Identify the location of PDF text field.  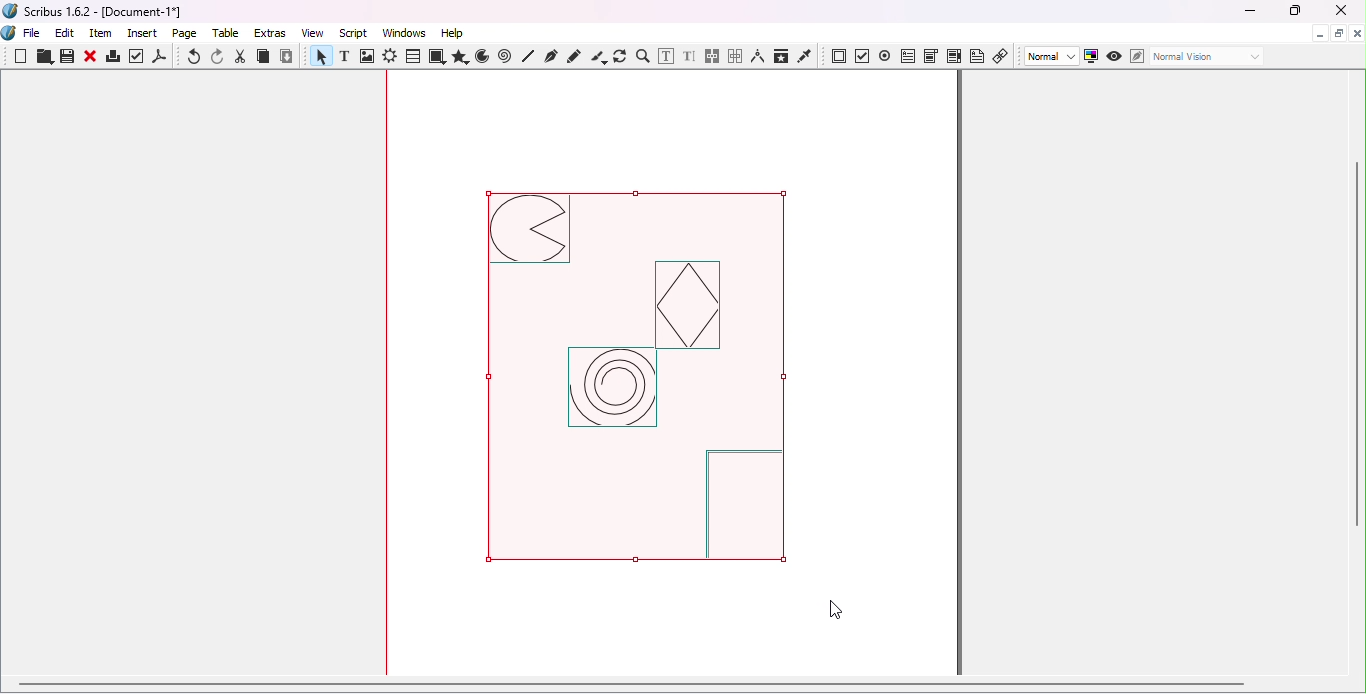
(907, 54).